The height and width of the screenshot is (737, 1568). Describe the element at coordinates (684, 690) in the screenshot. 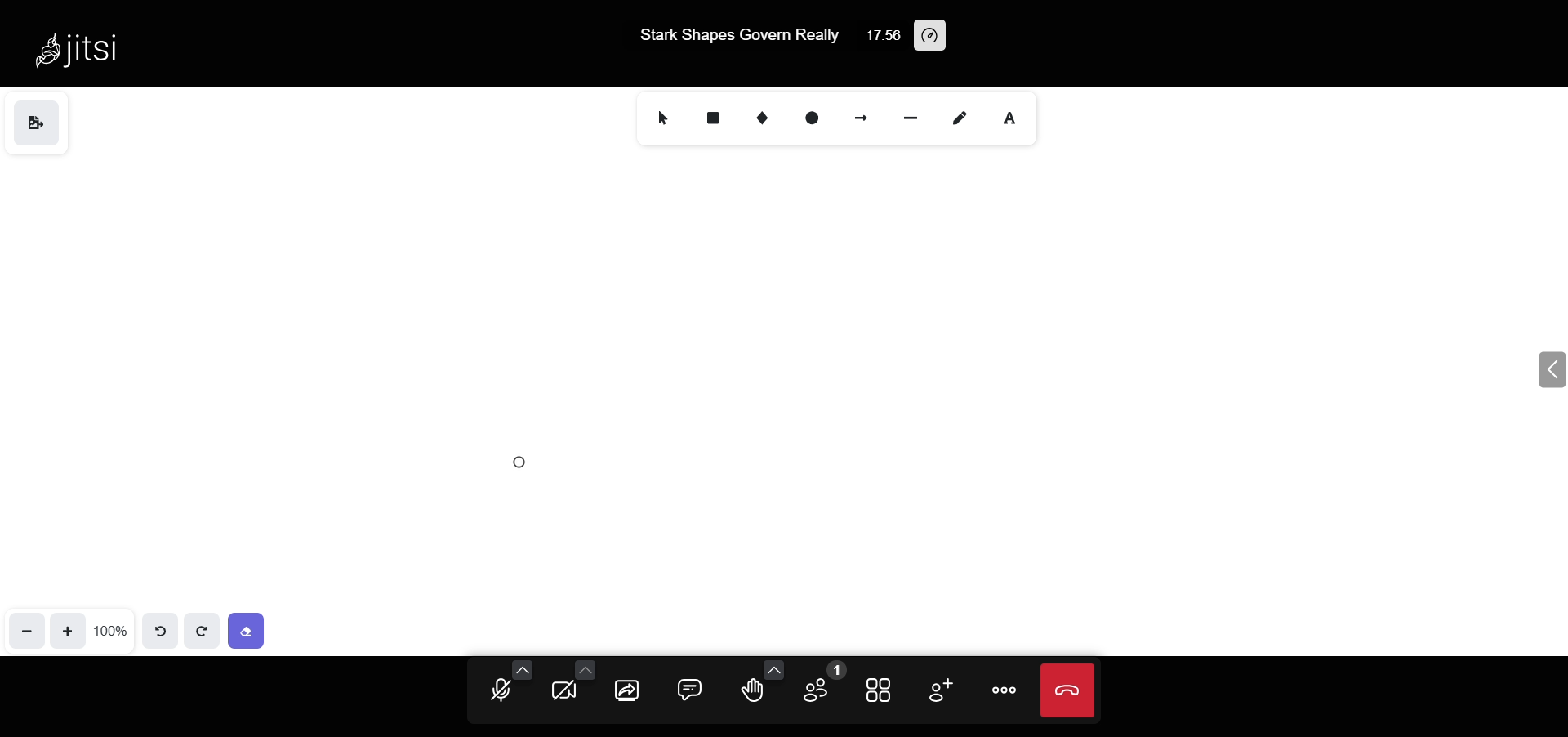

I see `chat` at that location.